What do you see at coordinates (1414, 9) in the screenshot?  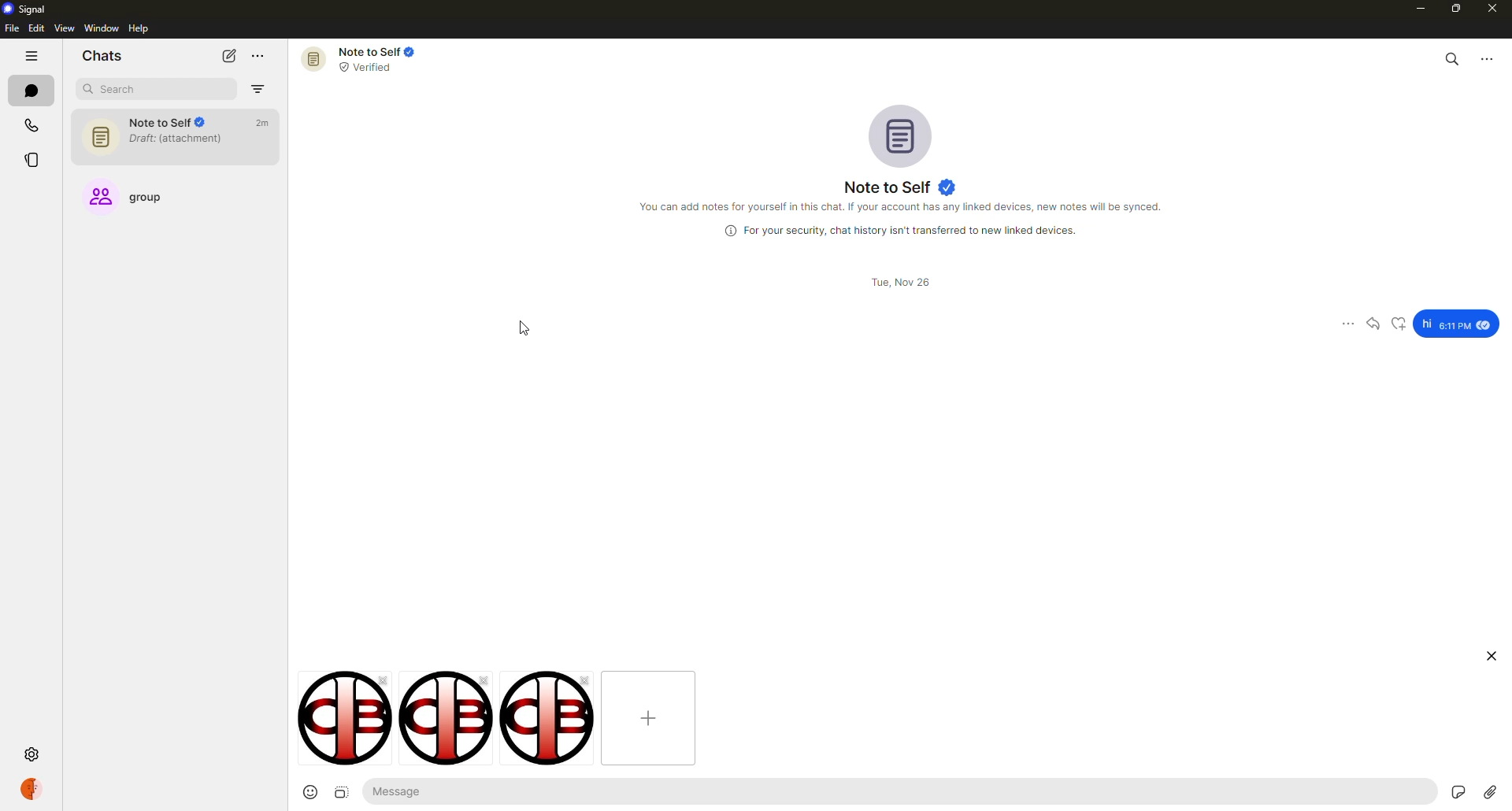 I see `minimize` at bounding box center [1414, 9].